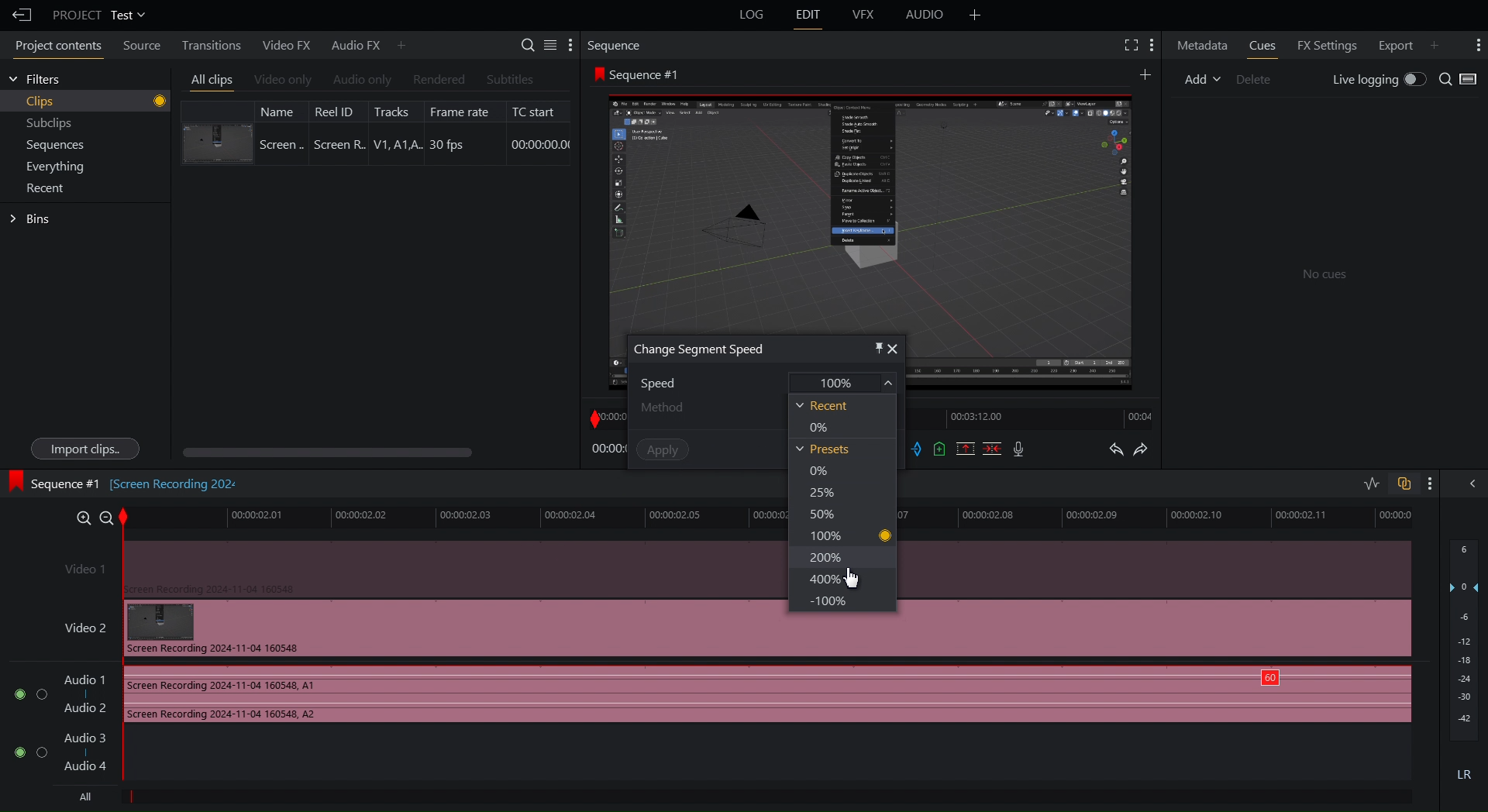  Describe the element at coordinates (376, 132) in the screenshot. I see `Clip` at that location.